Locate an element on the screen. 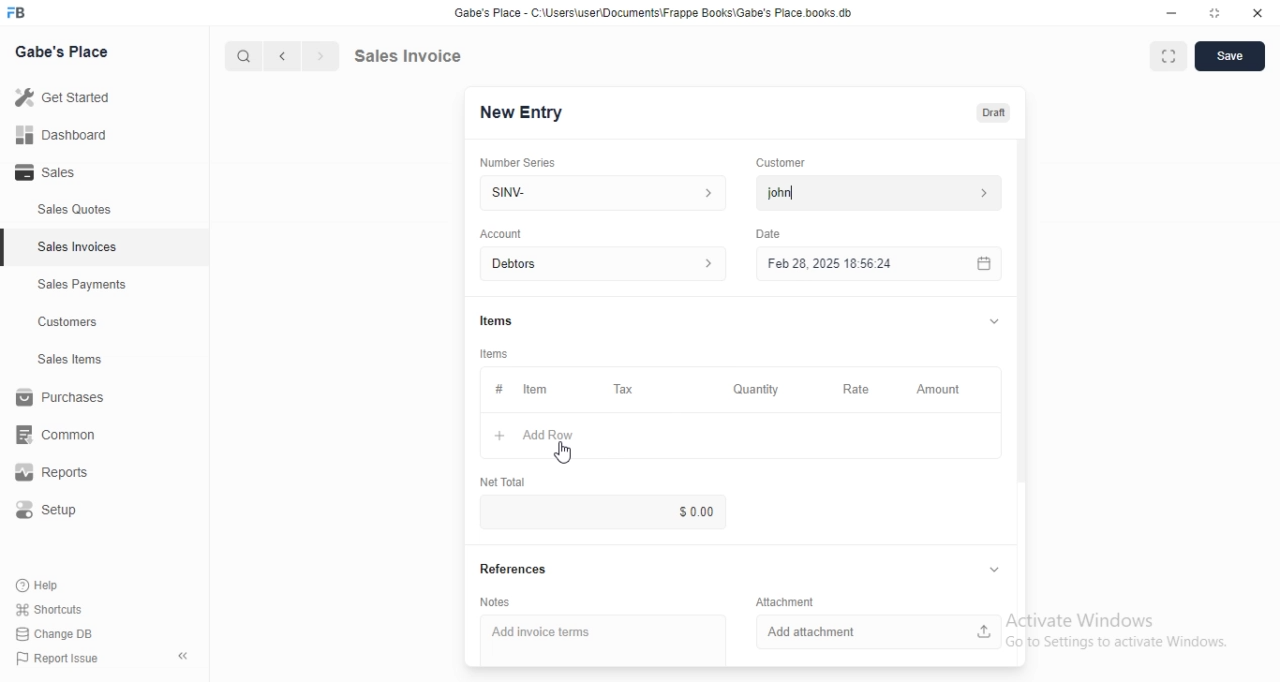 This screenshot has width=1280, height=682. tems is located at coordinates (497, 354).